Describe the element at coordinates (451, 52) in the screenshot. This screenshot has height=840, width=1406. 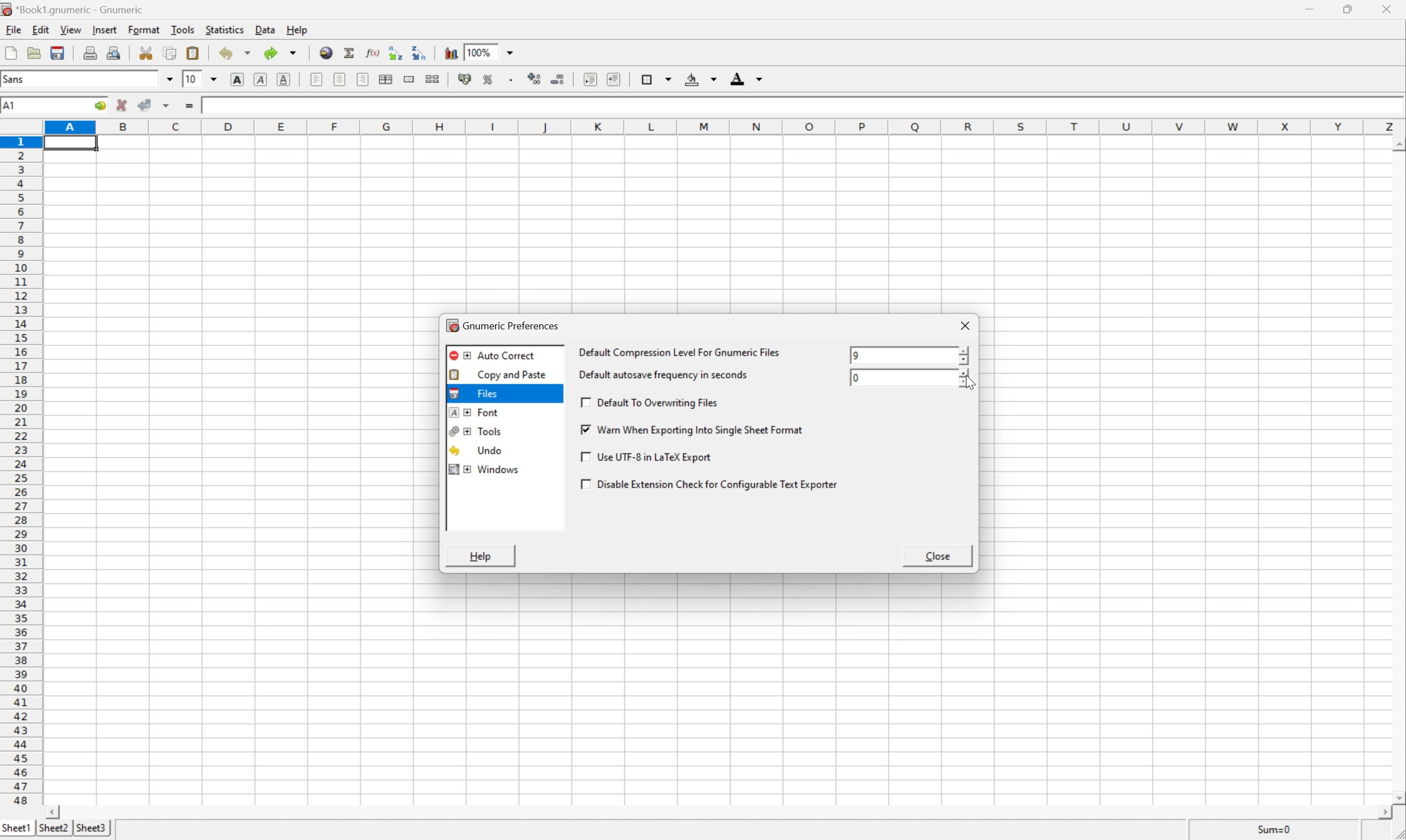
I see `insert chart` at that location.